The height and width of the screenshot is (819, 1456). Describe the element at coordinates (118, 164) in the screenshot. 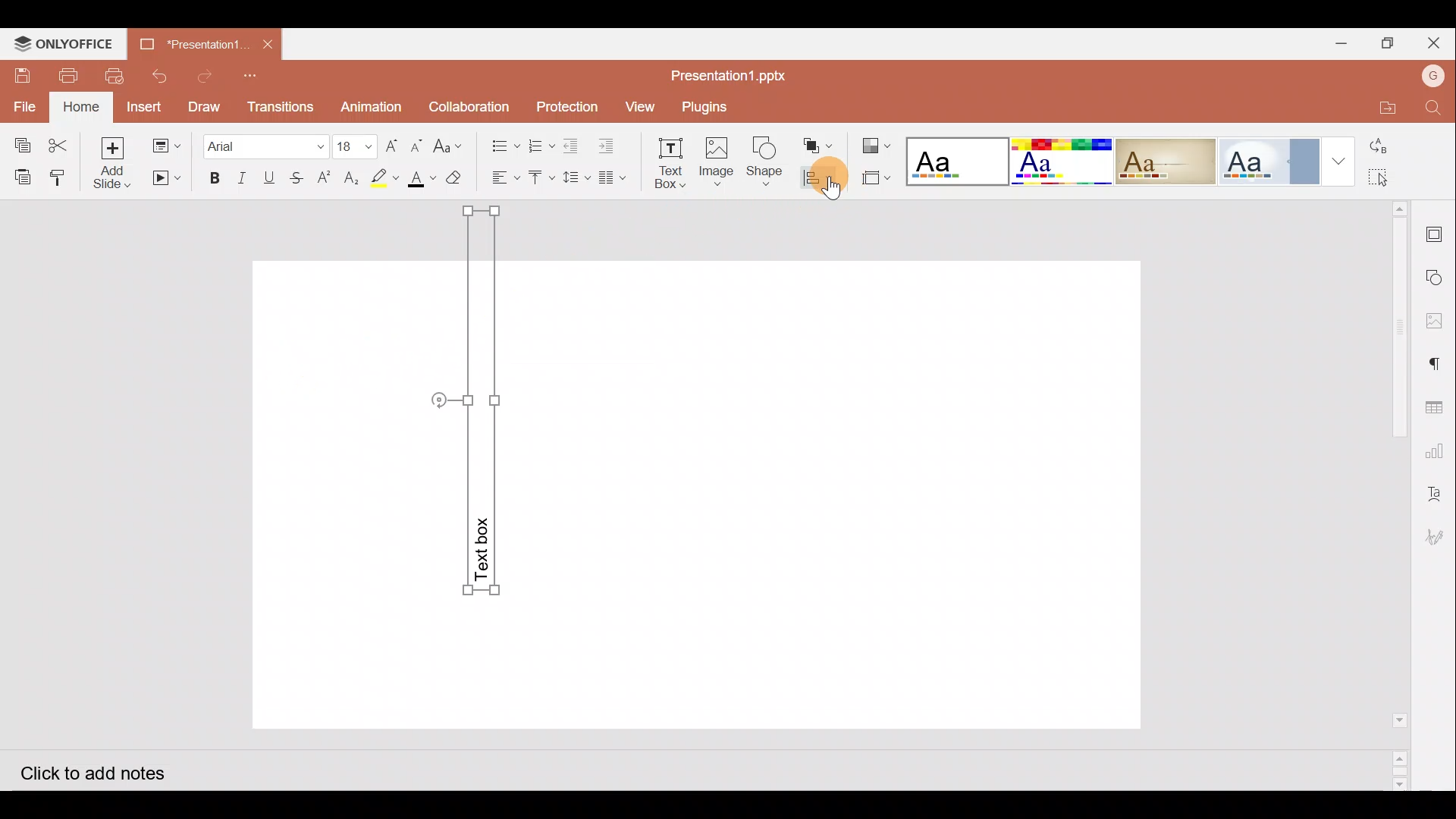

I see `Add slide` at that location.